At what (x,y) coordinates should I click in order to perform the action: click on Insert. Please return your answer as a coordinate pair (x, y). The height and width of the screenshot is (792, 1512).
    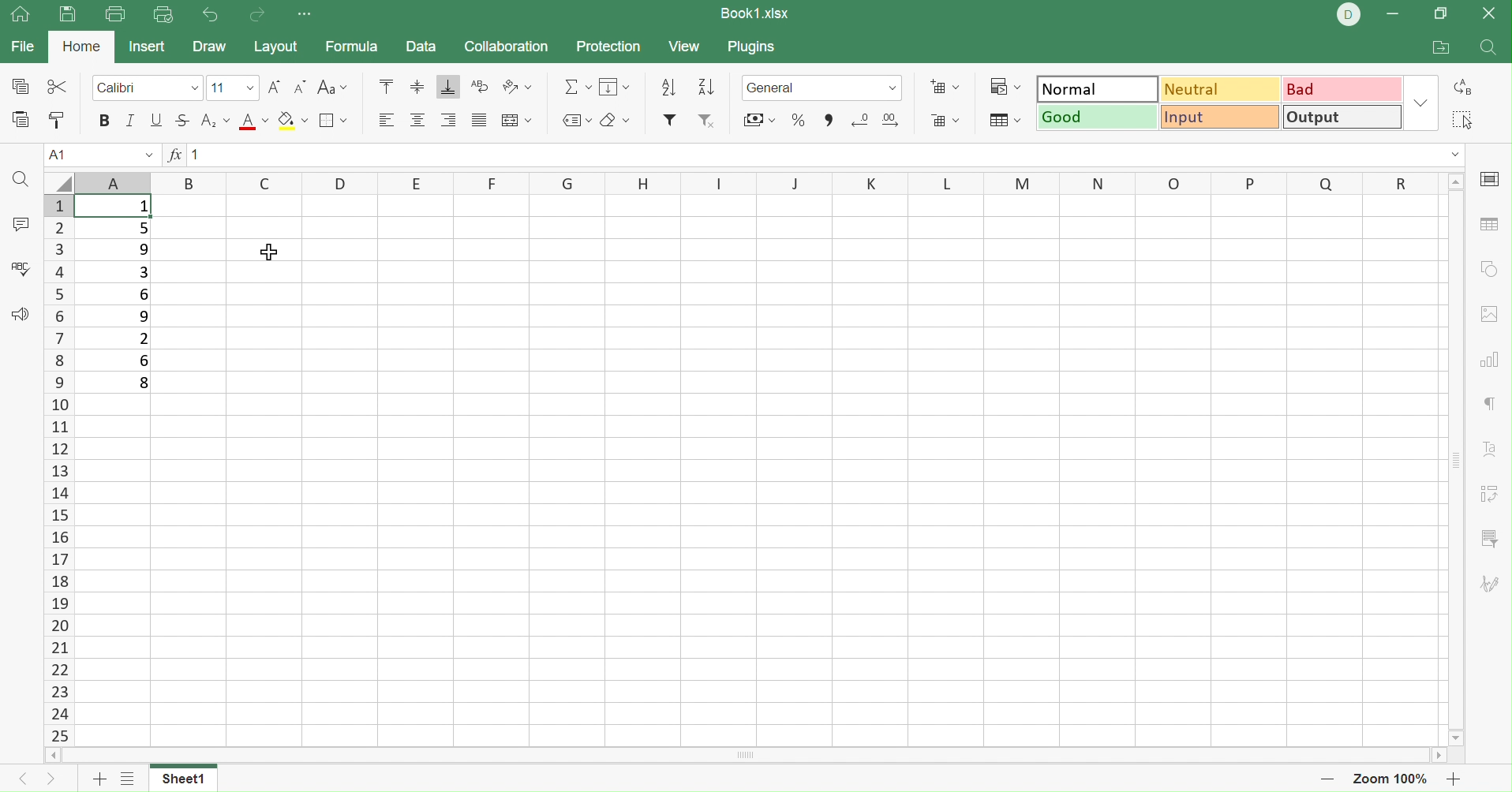
    Looking at the image, I should click on (148, 47).